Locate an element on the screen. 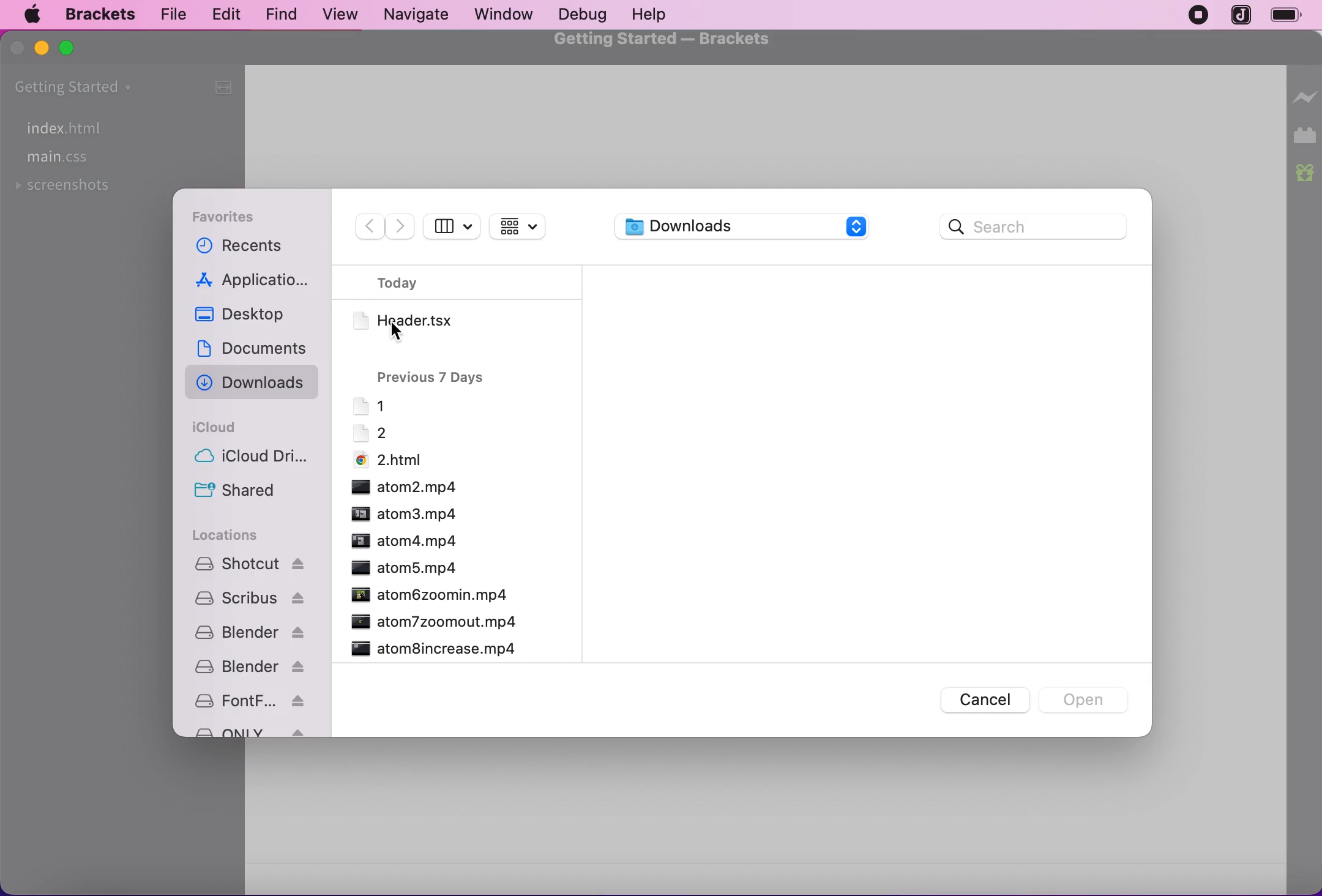 The image size is (1322, 896). close is located at coordinates (18, 48).